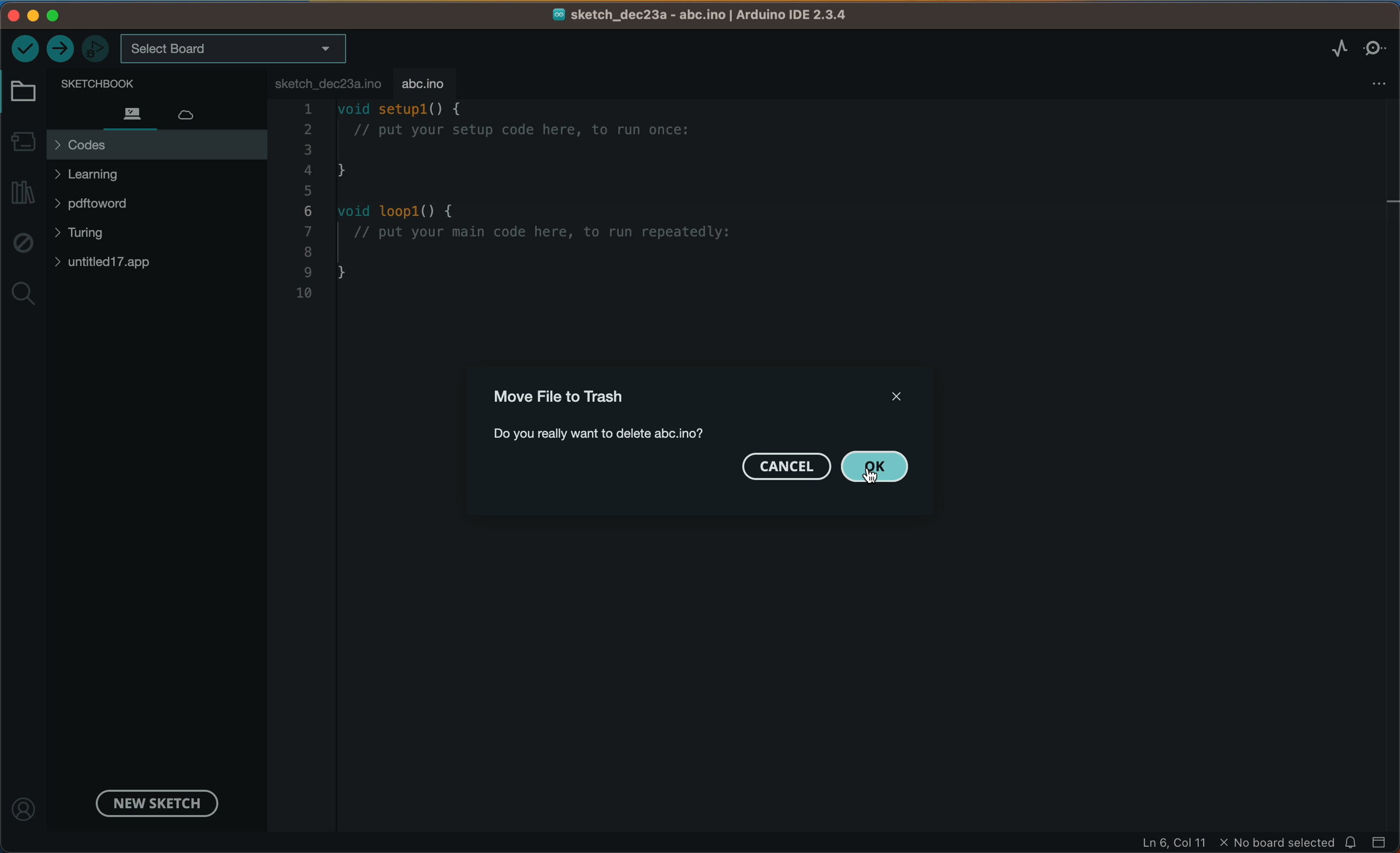 Image resolution: width=1400 pixels, height=853 pixels. I want to click on close slide bar, so click(1382, 842).